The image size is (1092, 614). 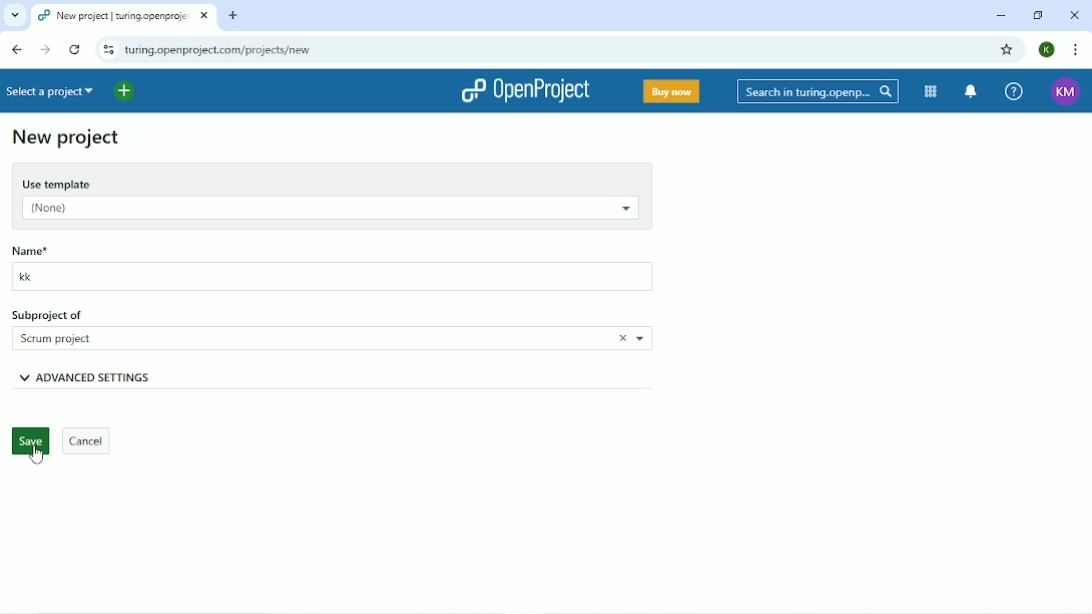 I want to click on kk, so click(x=34, y=277).